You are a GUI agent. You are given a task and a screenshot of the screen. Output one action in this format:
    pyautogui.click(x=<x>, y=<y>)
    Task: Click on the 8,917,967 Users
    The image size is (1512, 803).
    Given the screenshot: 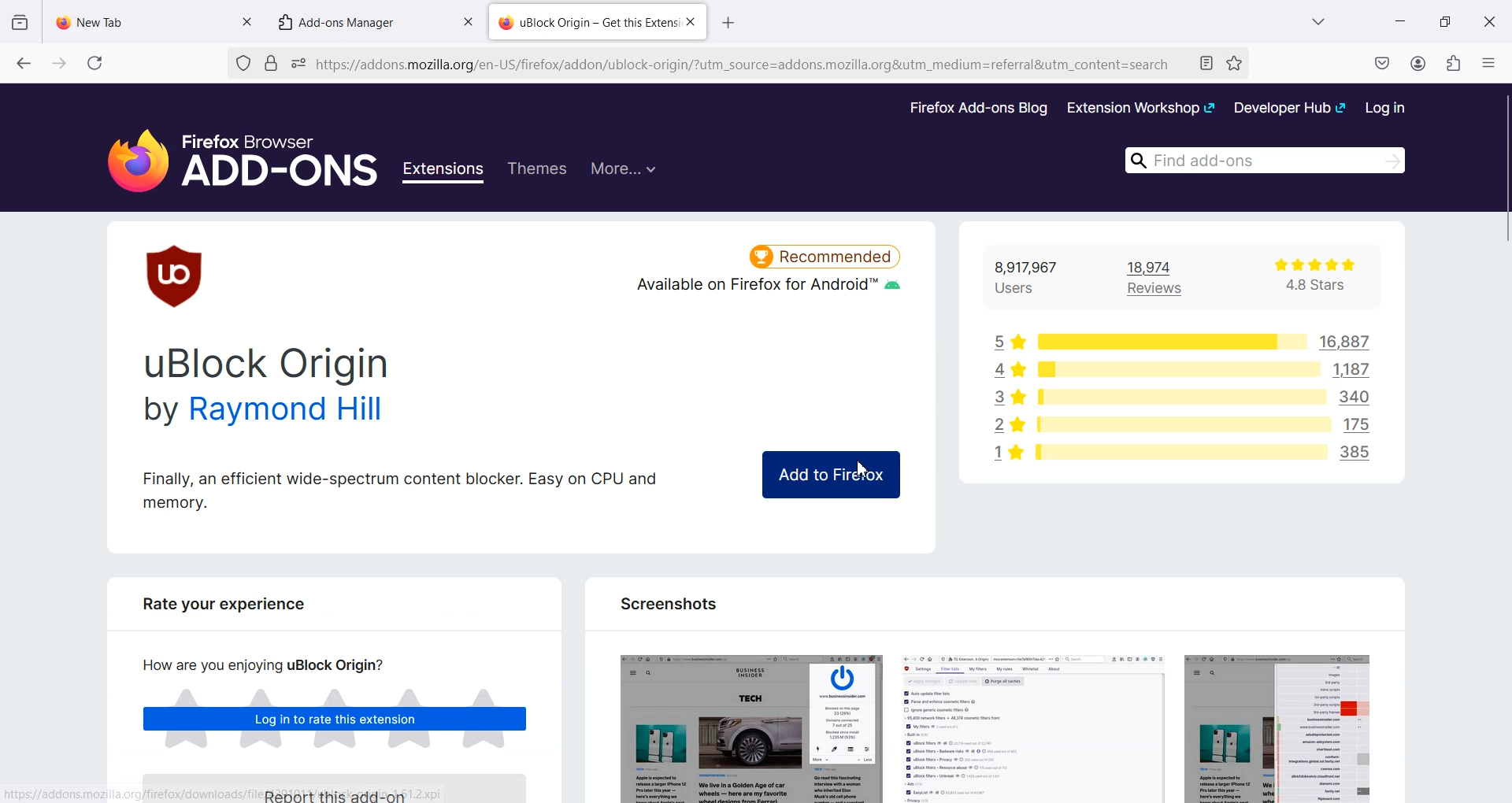 What is the action you would take?
    pyautogui.click(x=1035, y=278)
    